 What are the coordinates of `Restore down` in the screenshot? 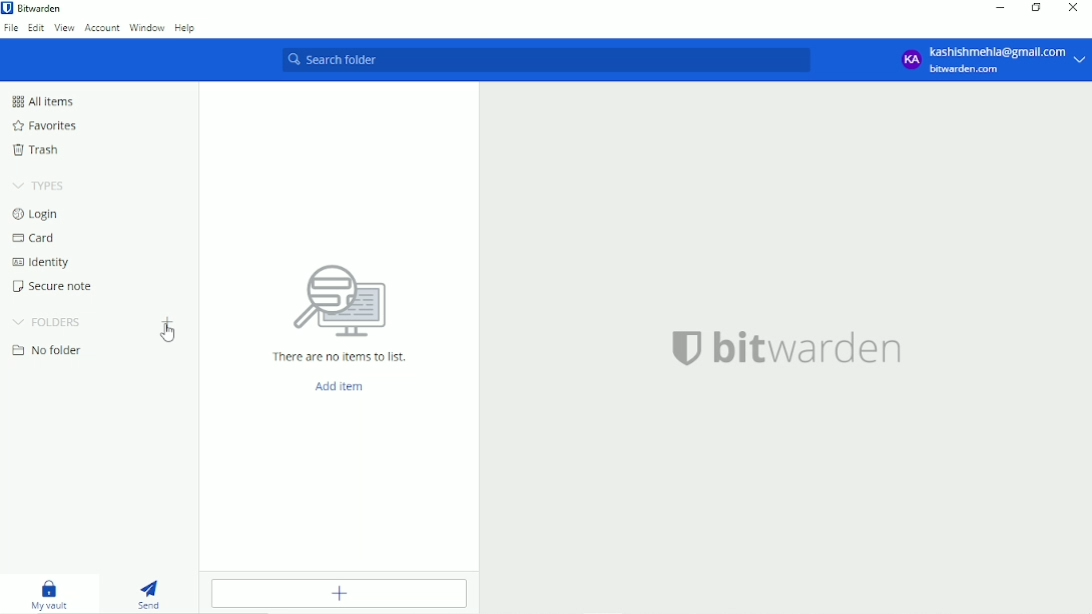 It's located at (1036, 8).